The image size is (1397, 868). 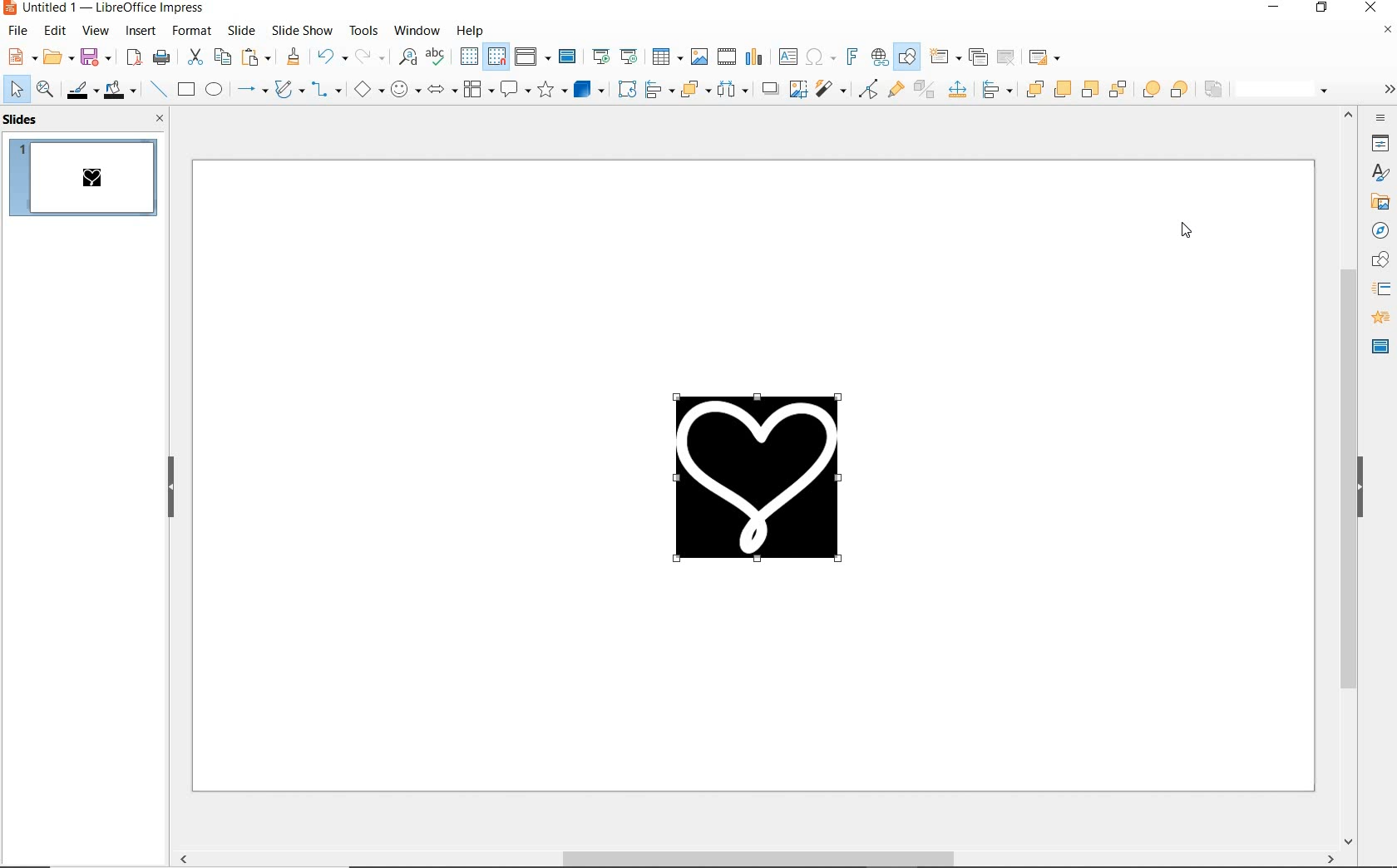 What do you see at coordinates (866, 90) in the screenshot?
I see `toggle point edit mode` at bounding box center [866, 90].